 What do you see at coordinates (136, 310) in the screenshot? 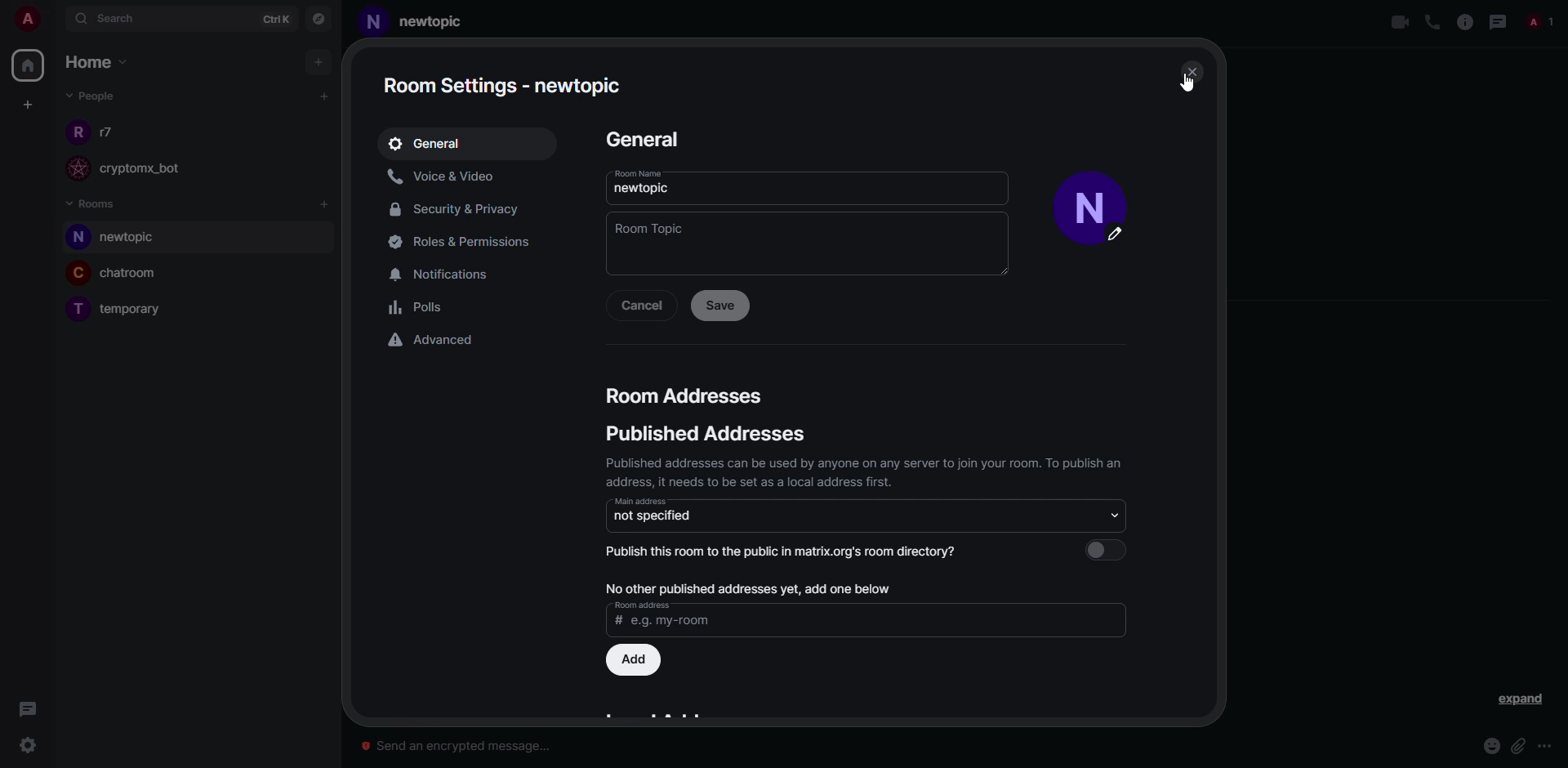
I see `room` at bounding box center [136, 310].